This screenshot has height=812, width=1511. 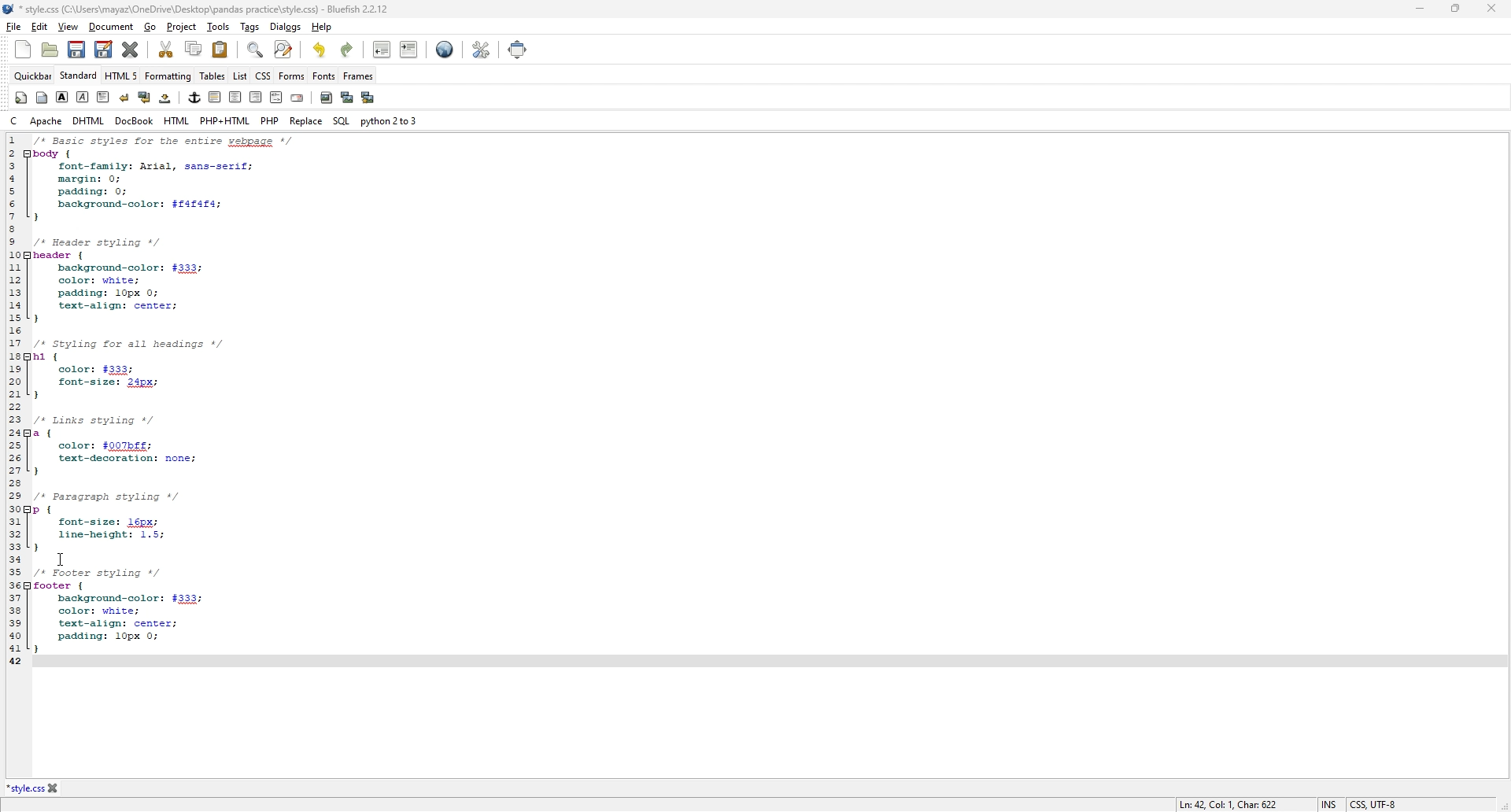 What do you see at coordinates (177, 121) in the screenshot?
I see `html` at bounding box center [177, 121].